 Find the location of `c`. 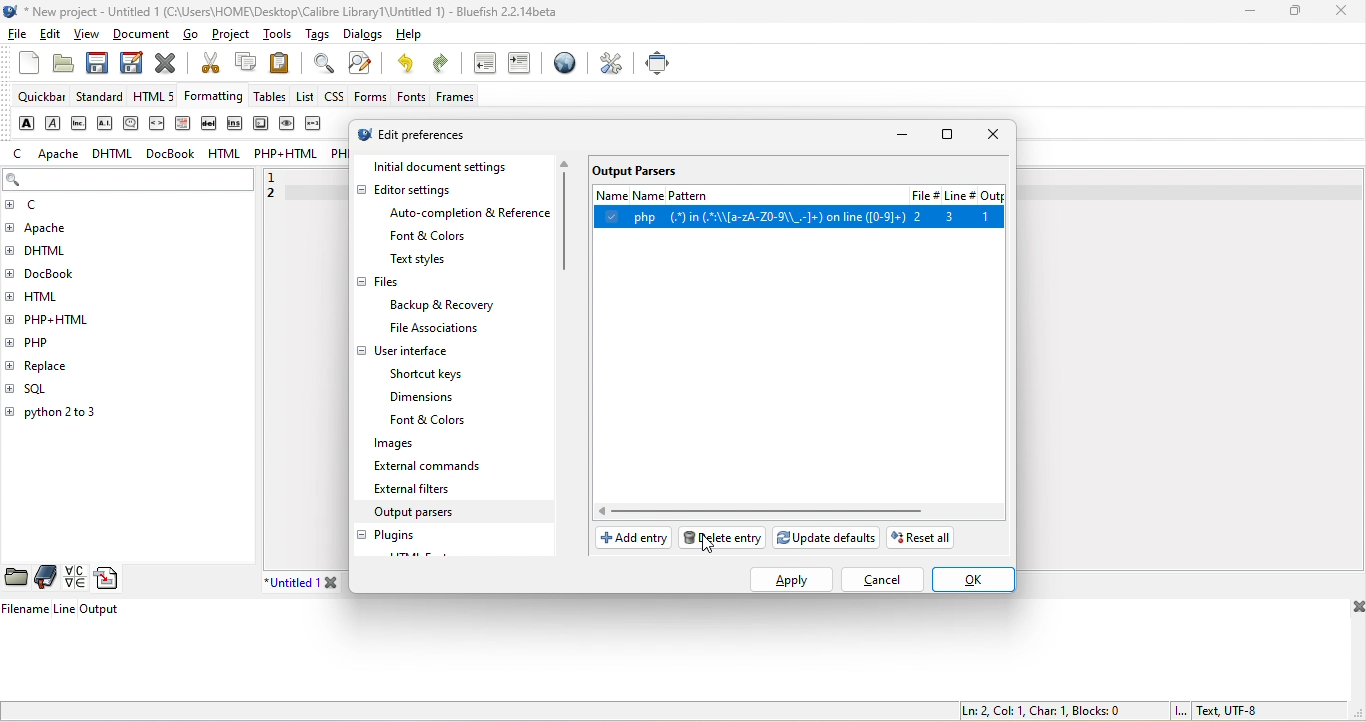

c is located at coordinates (38, 206).